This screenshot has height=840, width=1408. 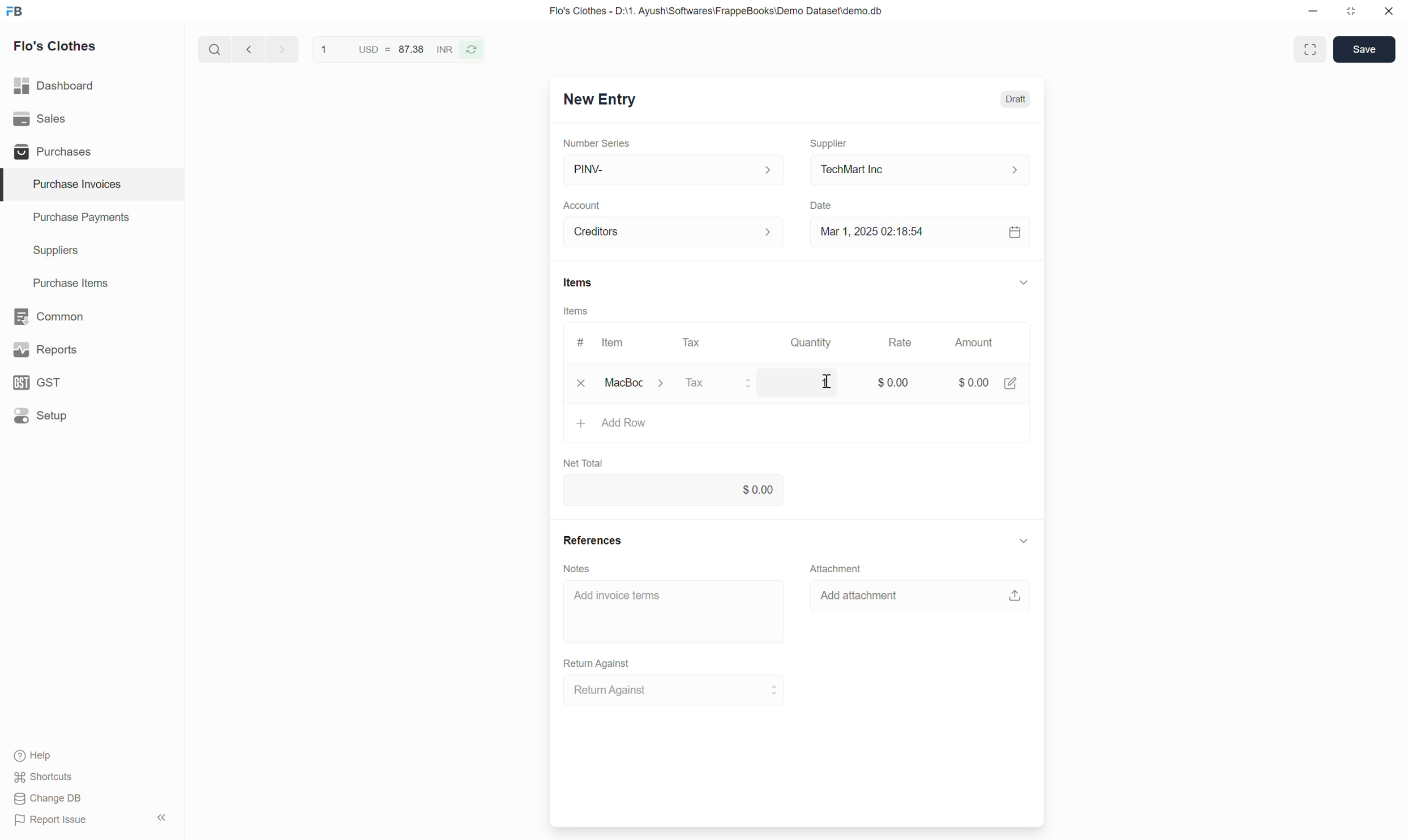 What do you see at coordinates (92, 284) in the screenshot?
I see `Purchase Items` at bounding box center [92, 284].